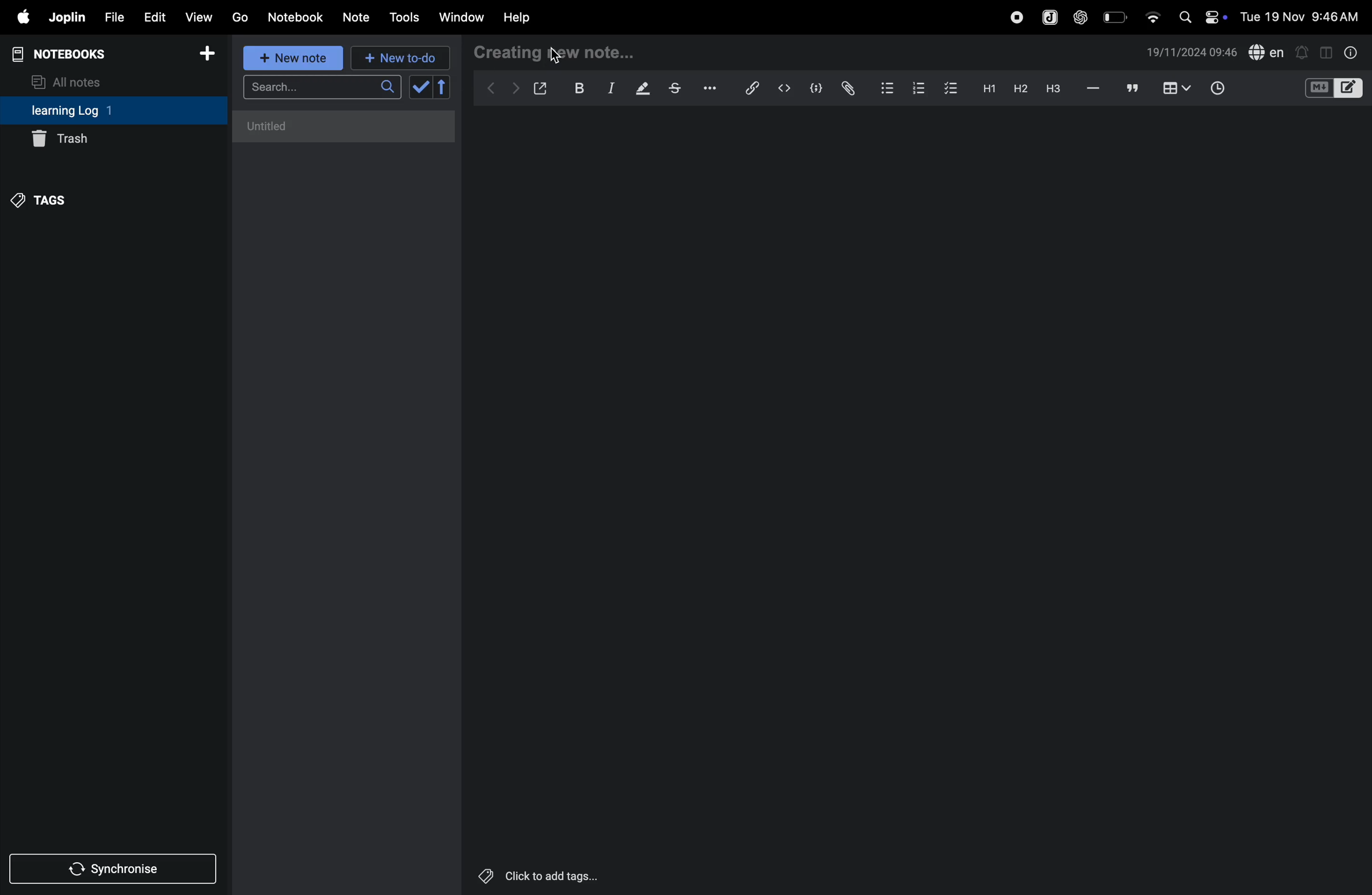 Image resolution: width=1372 pixels, height=895 pixels. Describe the element at coordinates (113, 138) in the screenshot. I see `trash` at that location.